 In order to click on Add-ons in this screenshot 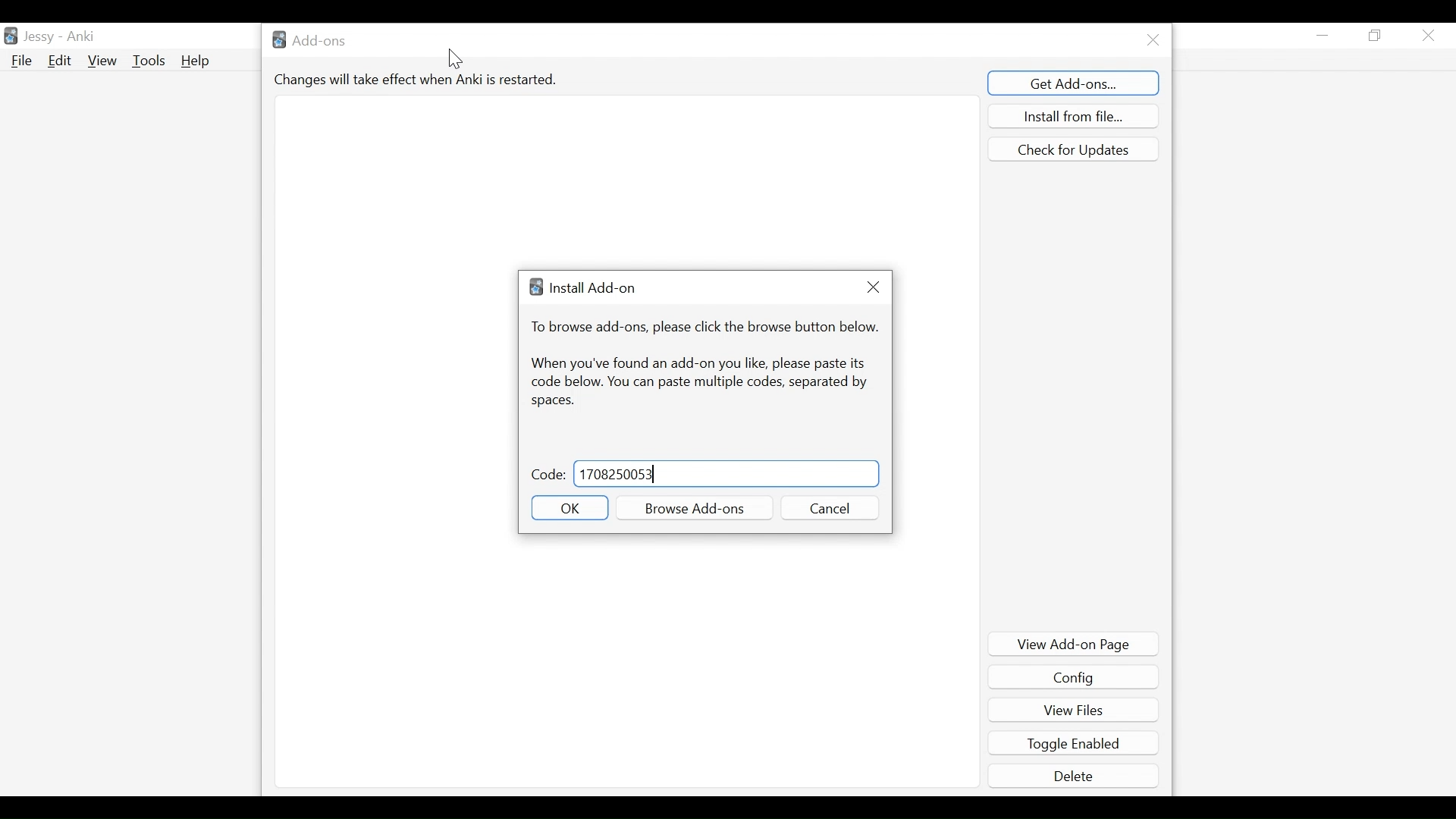, I will do `click(313, 39)`.